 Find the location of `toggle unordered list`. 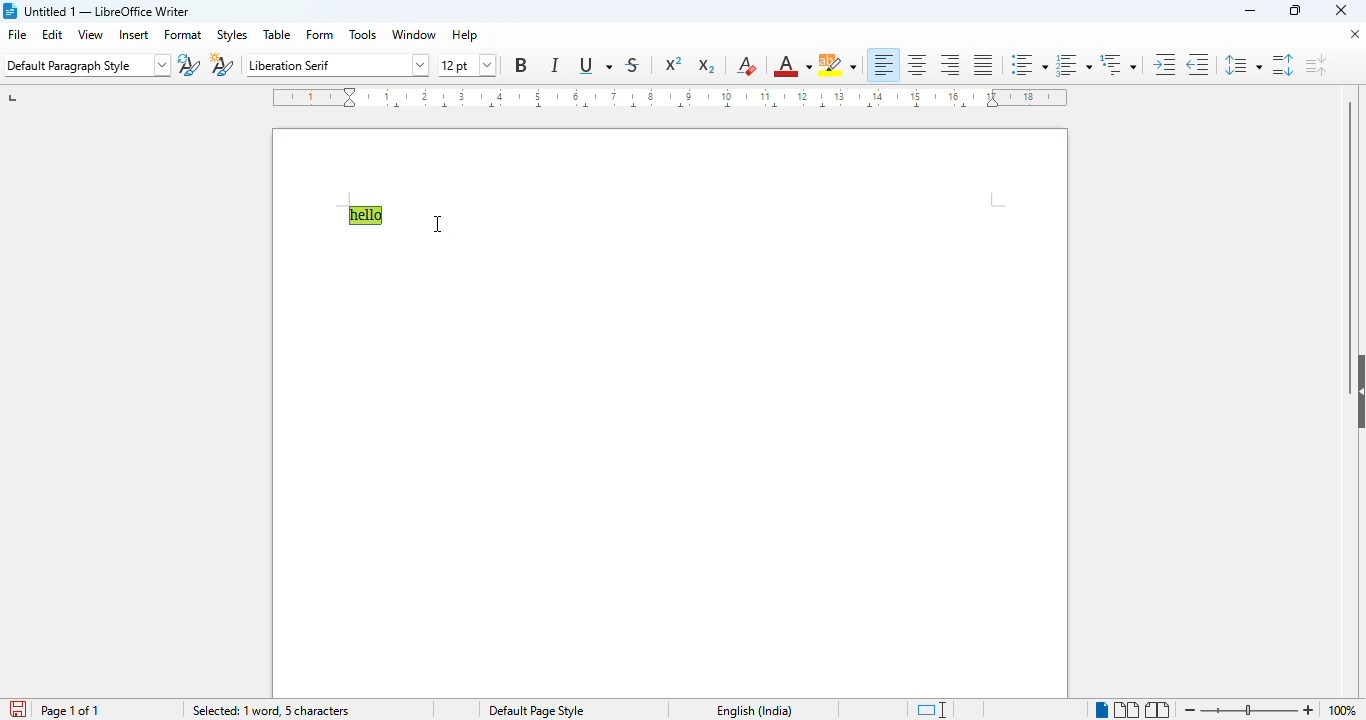

toggle unordered list is located at coordinates (1029, 64).